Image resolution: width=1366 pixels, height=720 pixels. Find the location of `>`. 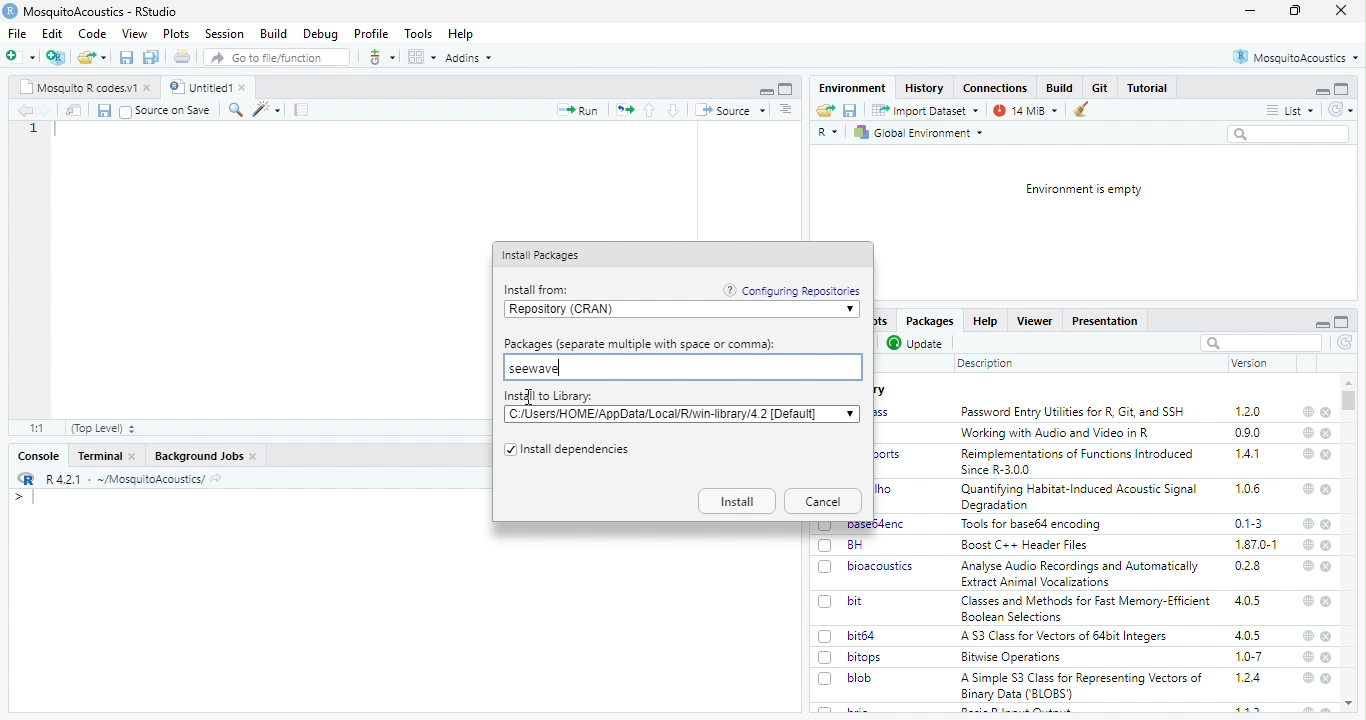

> is located at coordinates (18, 497).